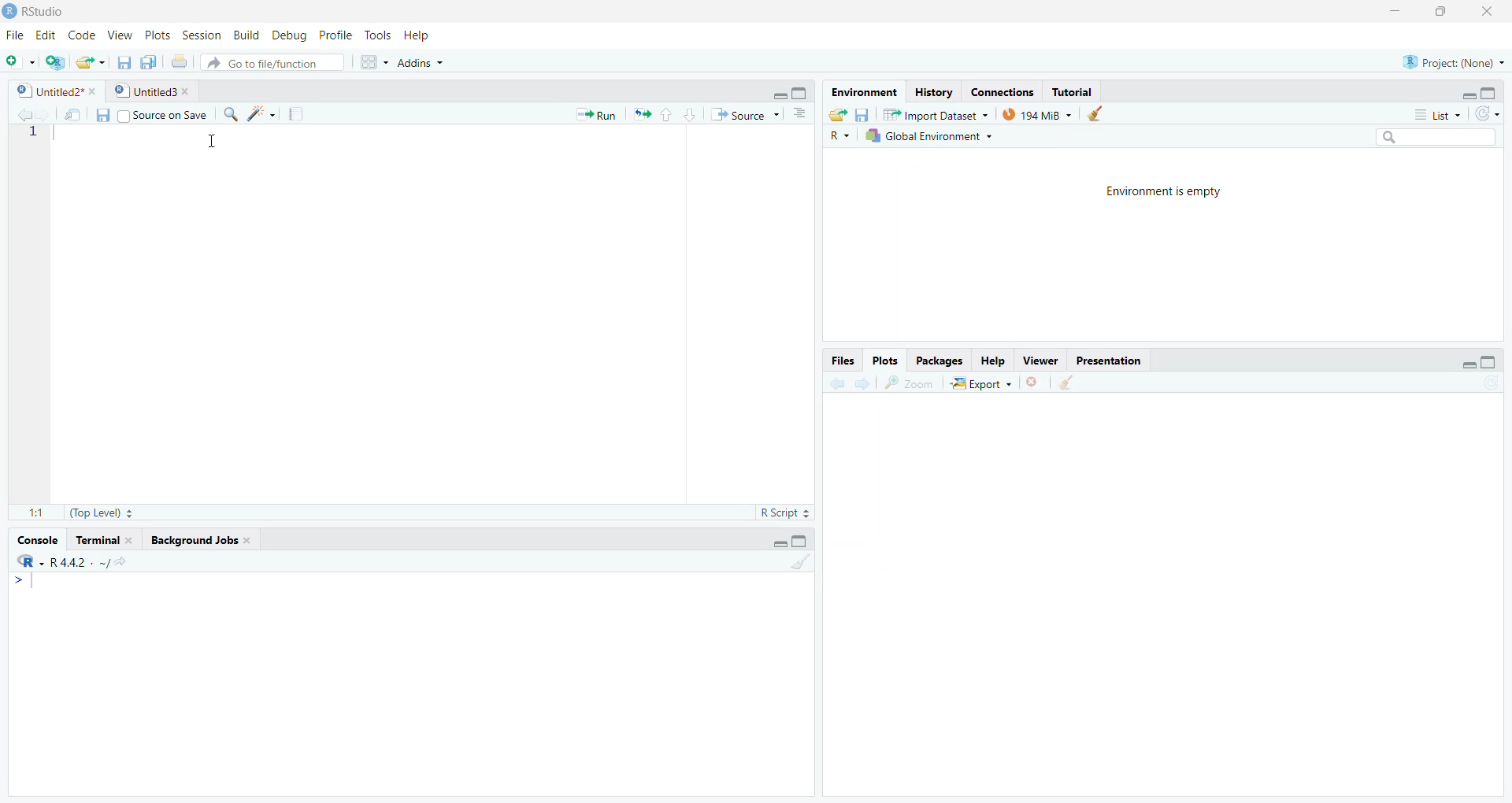 This screenshot has height=803, width=1512. What do you see at coordinates (203, 542) in the screenshot?
I see `Background Jobs` at bounding box center [203, 542].